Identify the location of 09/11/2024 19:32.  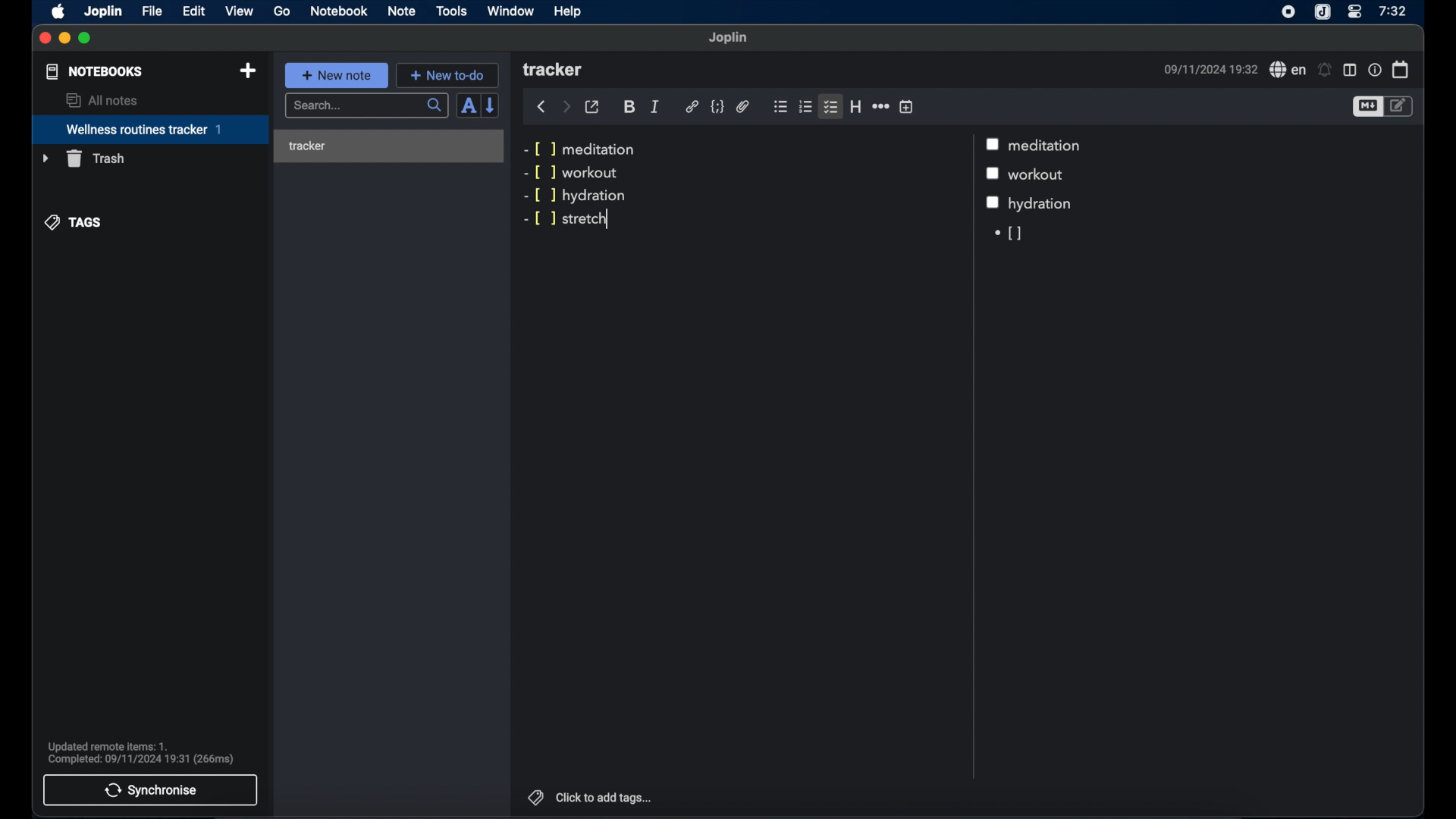
(1208, 69).